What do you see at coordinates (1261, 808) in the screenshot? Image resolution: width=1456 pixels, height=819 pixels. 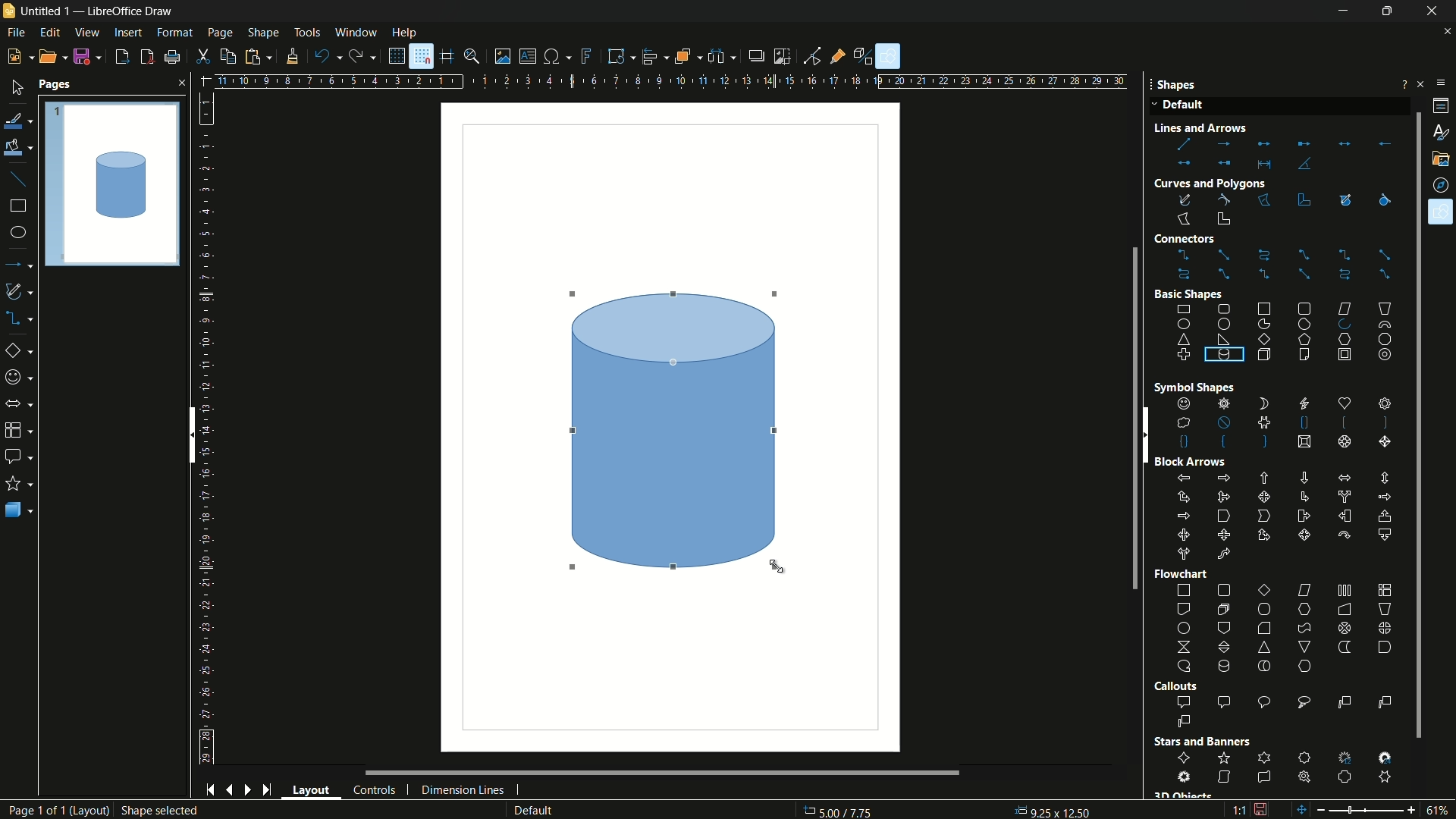 I see `document modification` at bounding box center [1261, 808].